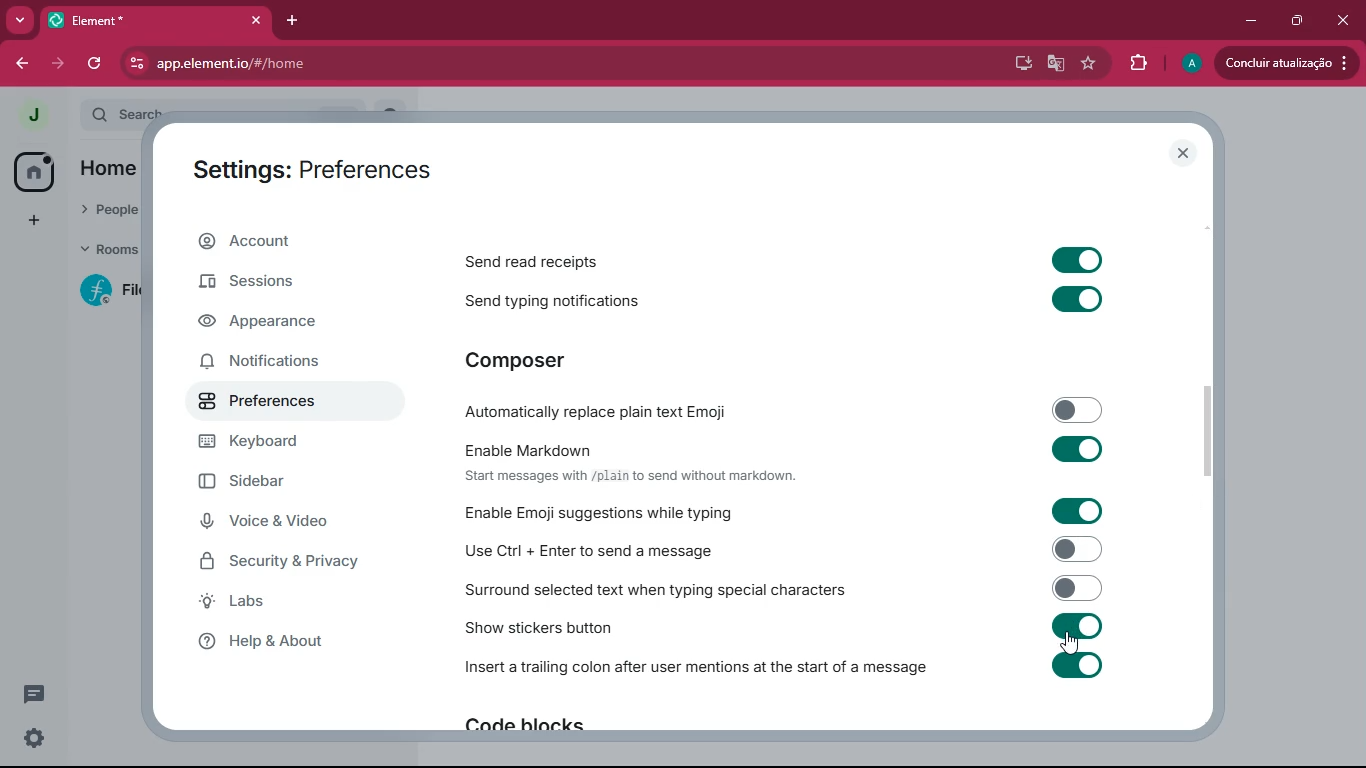  I want to click on rooms, so click(111, 250).